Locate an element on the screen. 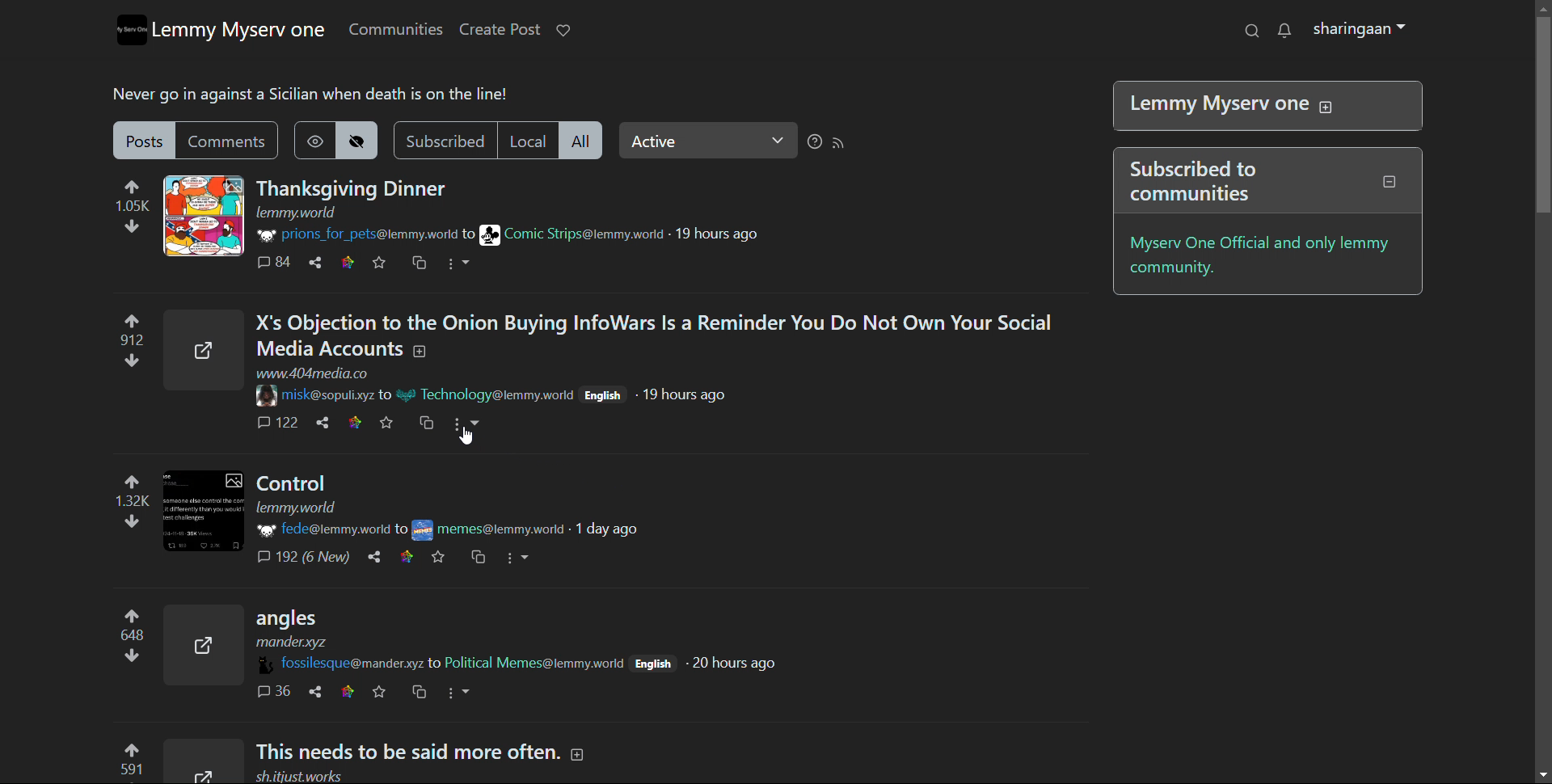  Upvote and downvote is located at coordinates (120, 344).